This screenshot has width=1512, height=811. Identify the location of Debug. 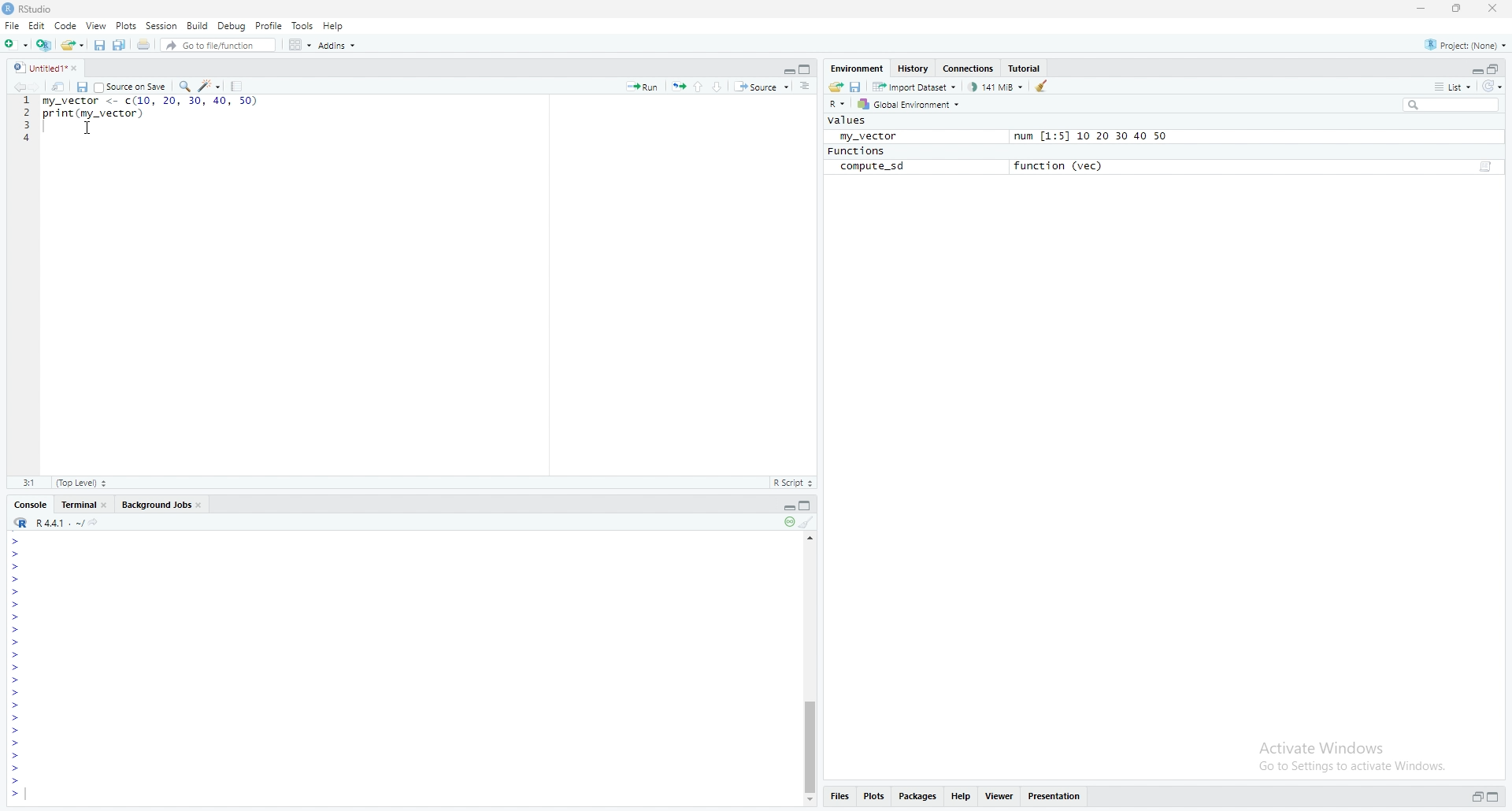
(232, 25).